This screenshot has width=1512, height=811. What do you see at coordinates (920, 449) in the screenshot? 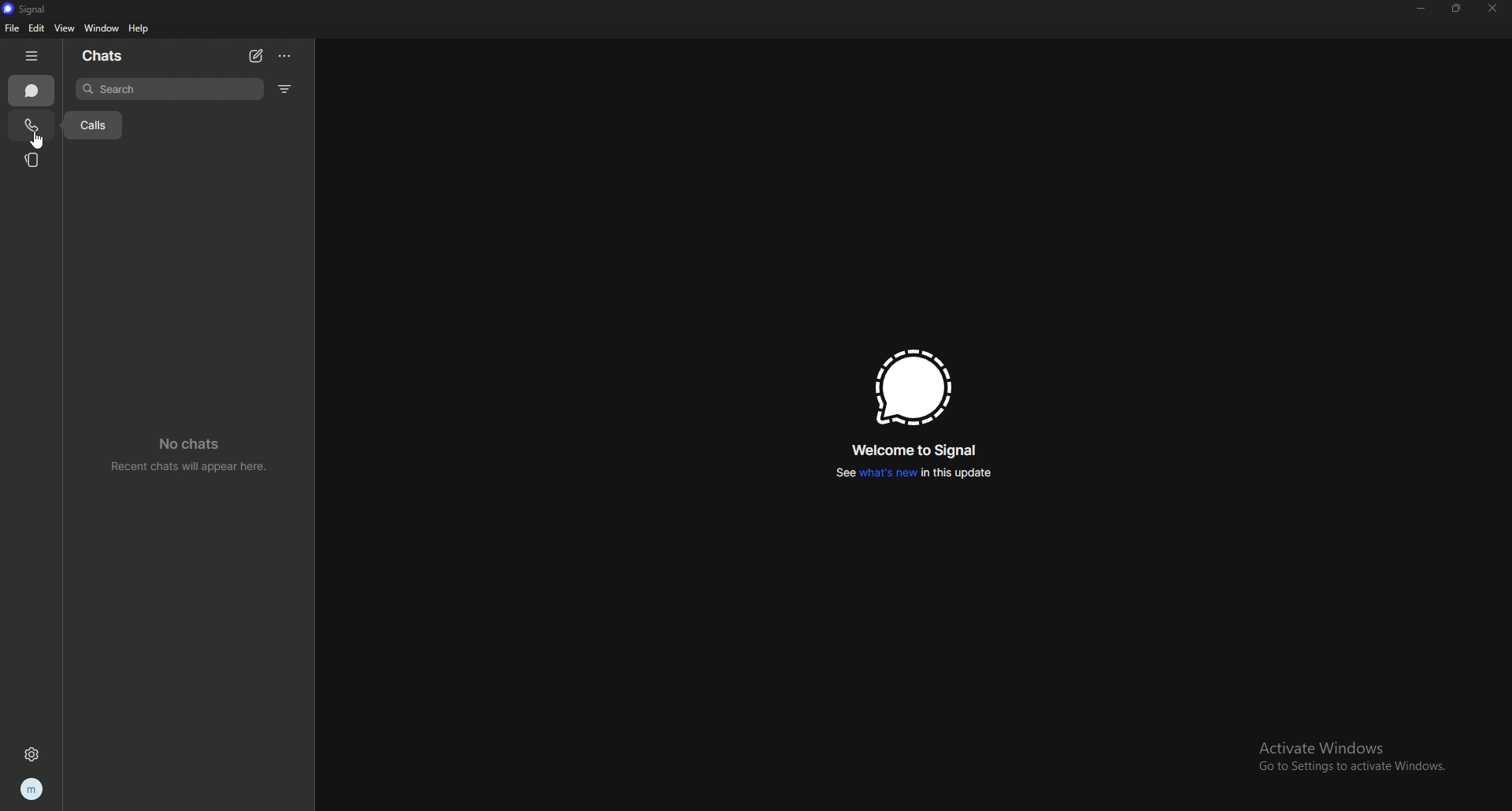
I see `welcome TO SIGNAL` at bounding box center [920, 449].